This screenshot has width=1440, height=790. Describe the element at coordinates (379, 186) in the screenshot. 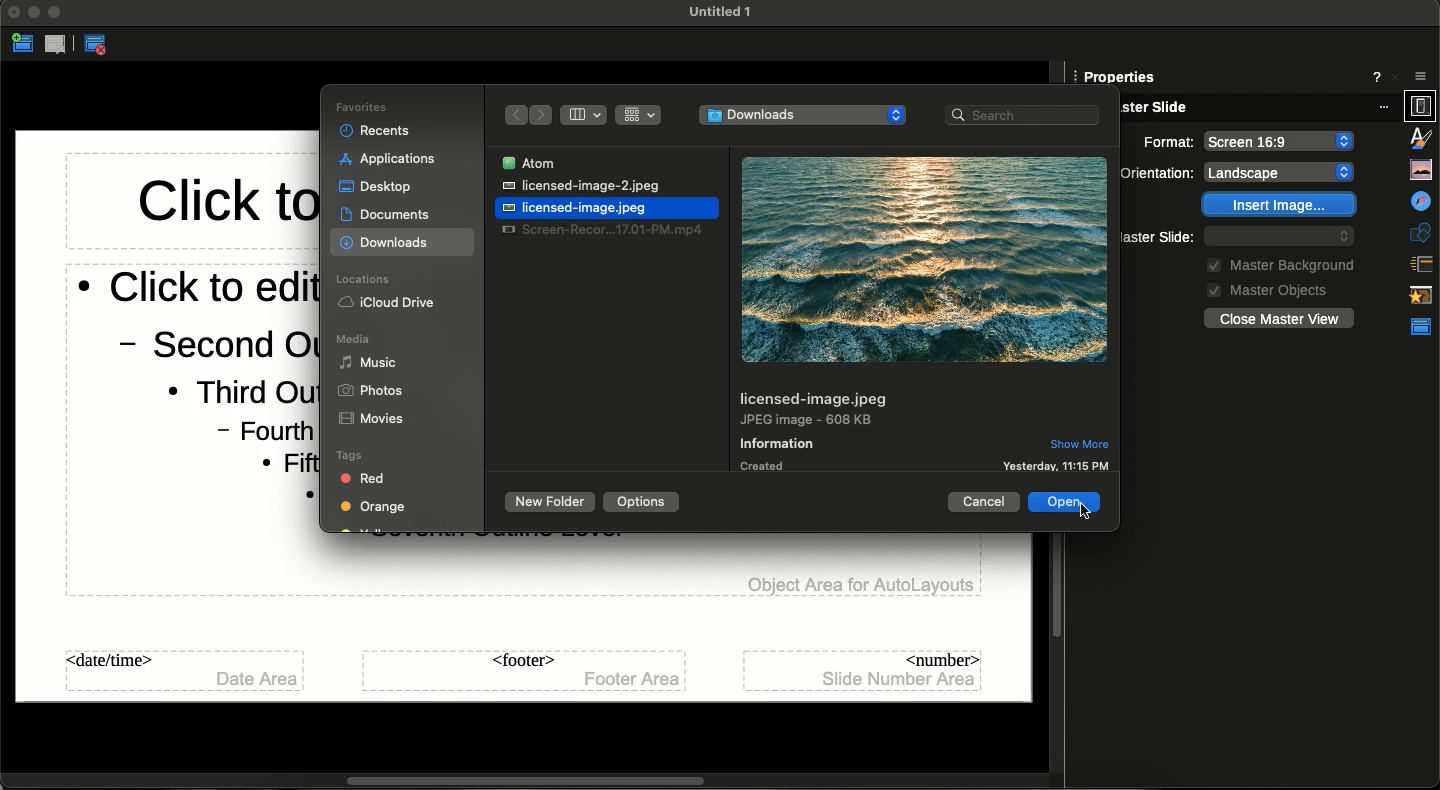

I see `Desktop` at that location.